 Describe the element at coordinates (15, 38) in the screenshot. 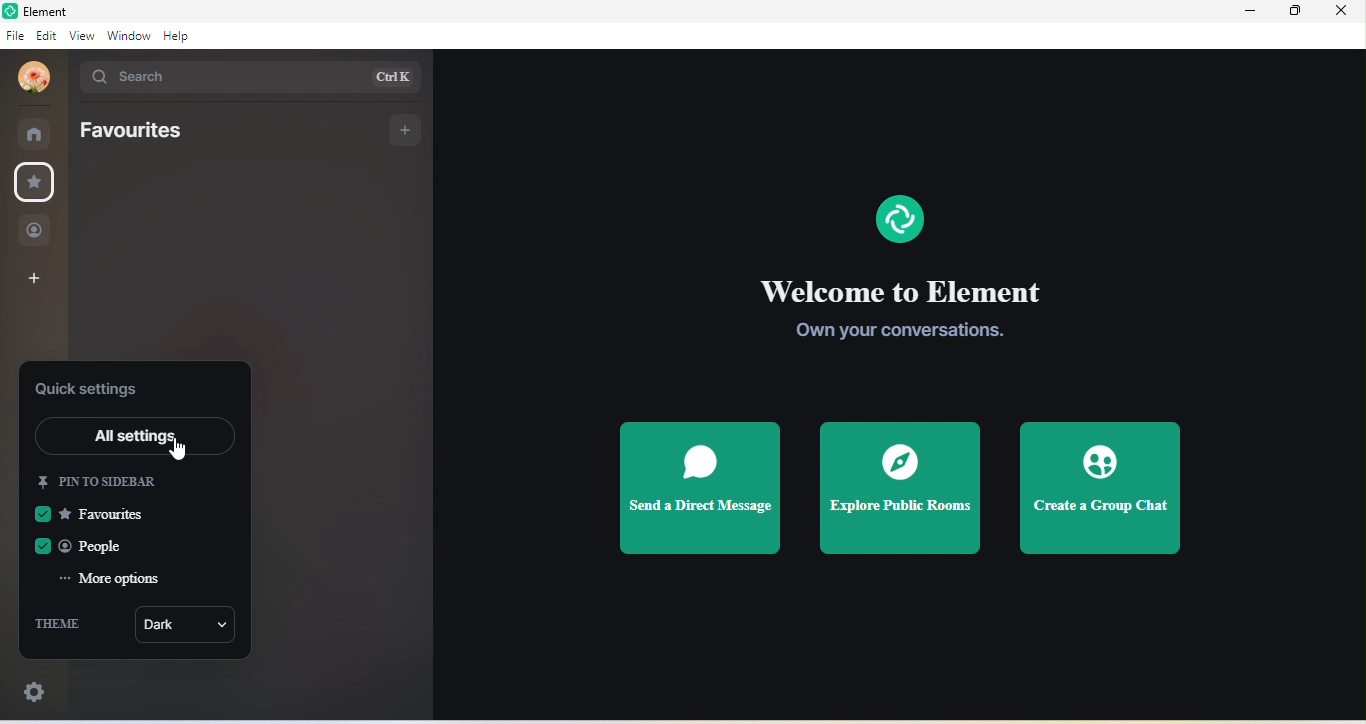

I see `file` at that location.